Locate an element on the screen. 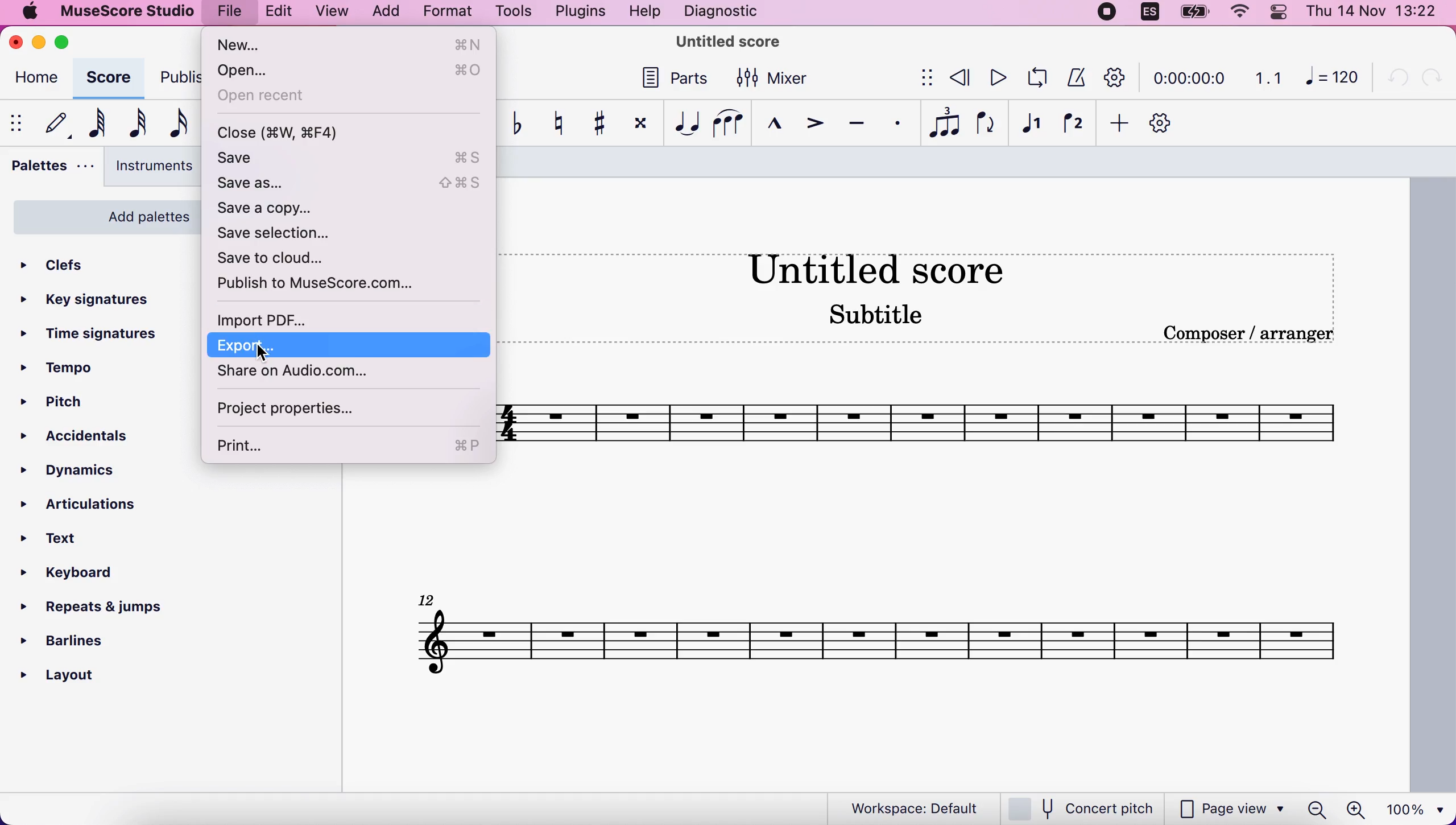 Image resolution: width=1456 pixels, height=825 pixels. parts is located at coordinates (677, 81).